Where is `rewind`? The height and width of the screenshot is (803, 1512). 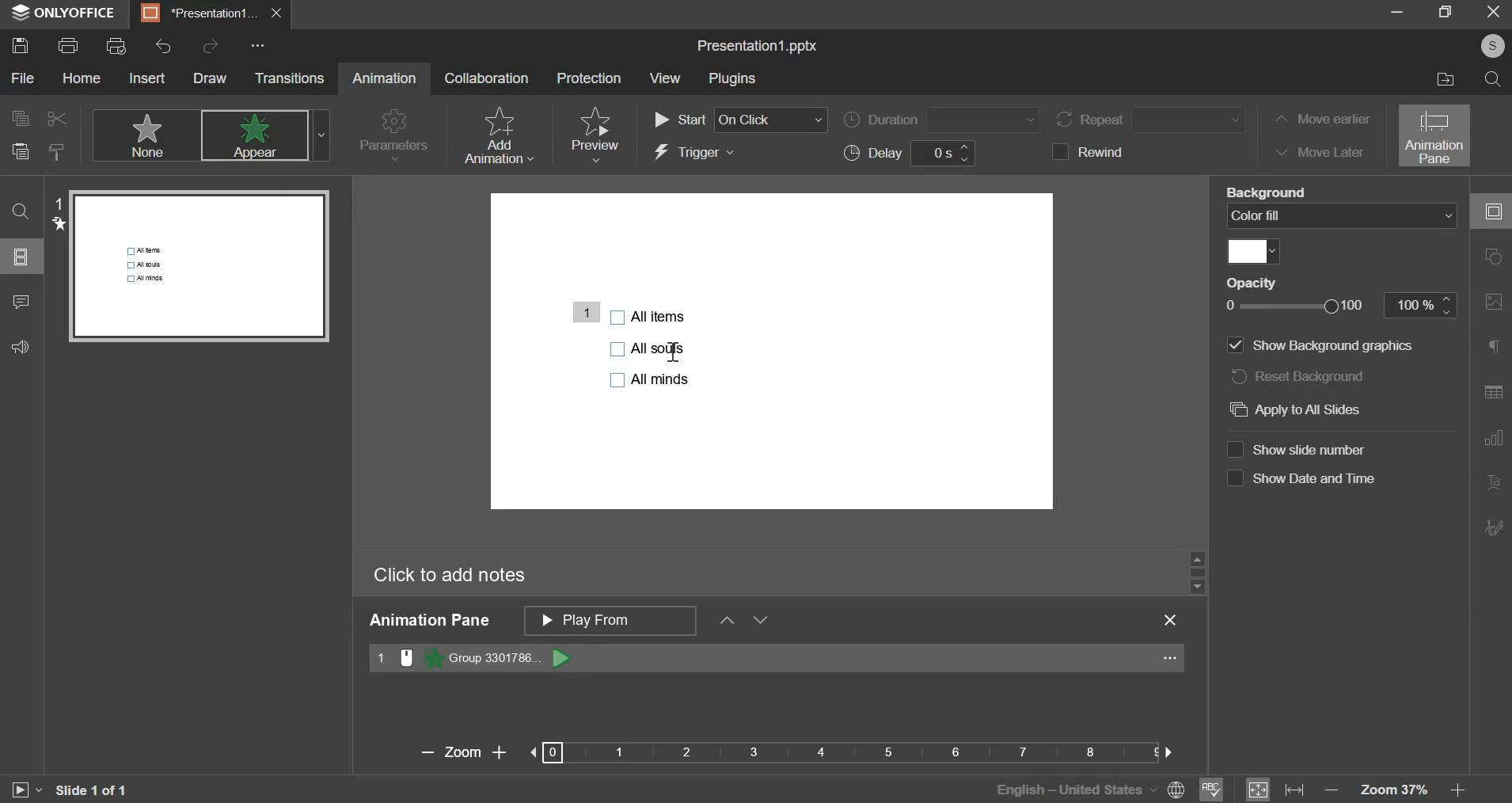
rewind is located at coordinates (1095, 151).